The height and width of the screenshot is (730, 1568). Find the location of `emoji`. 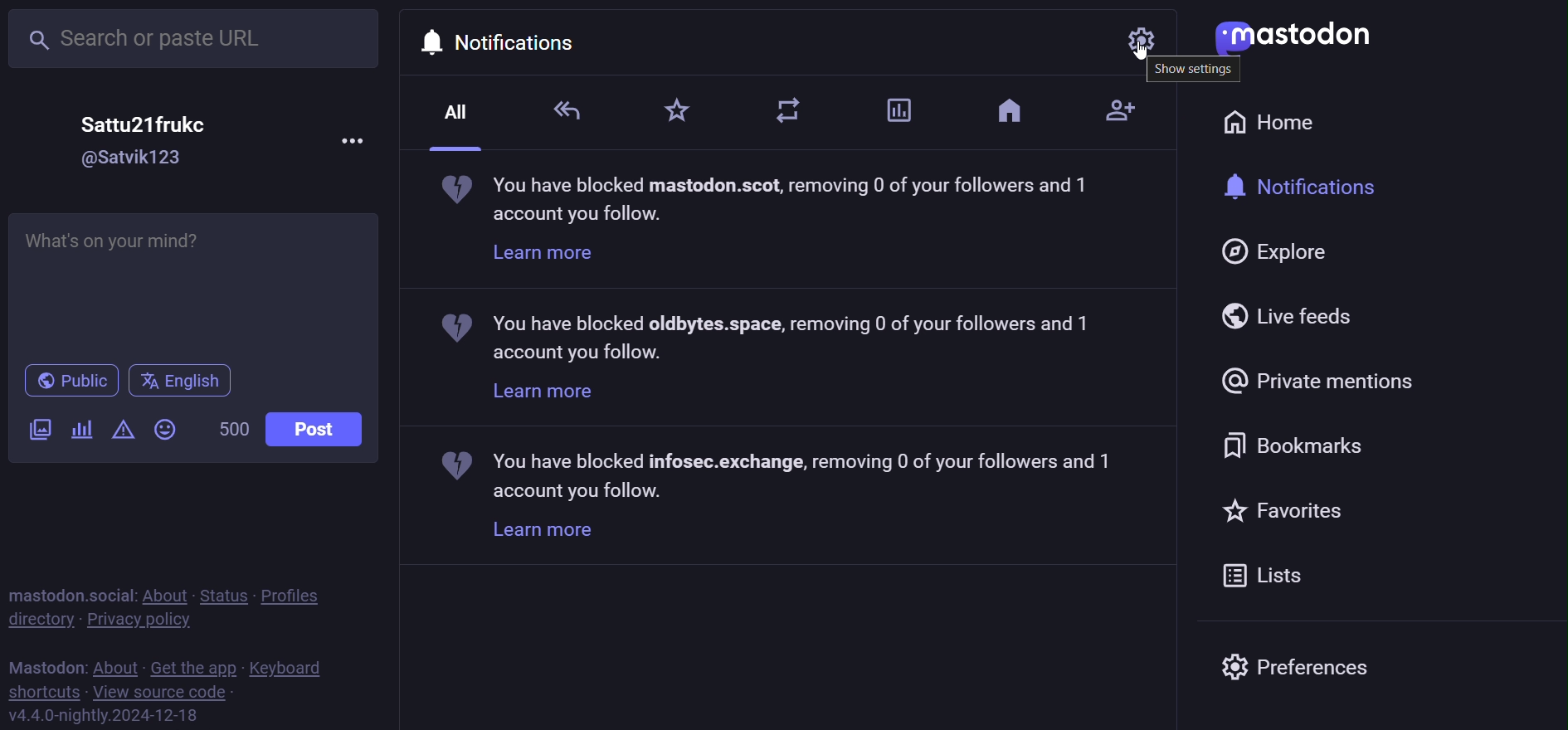

emoji is located at coordinates (166, 429).